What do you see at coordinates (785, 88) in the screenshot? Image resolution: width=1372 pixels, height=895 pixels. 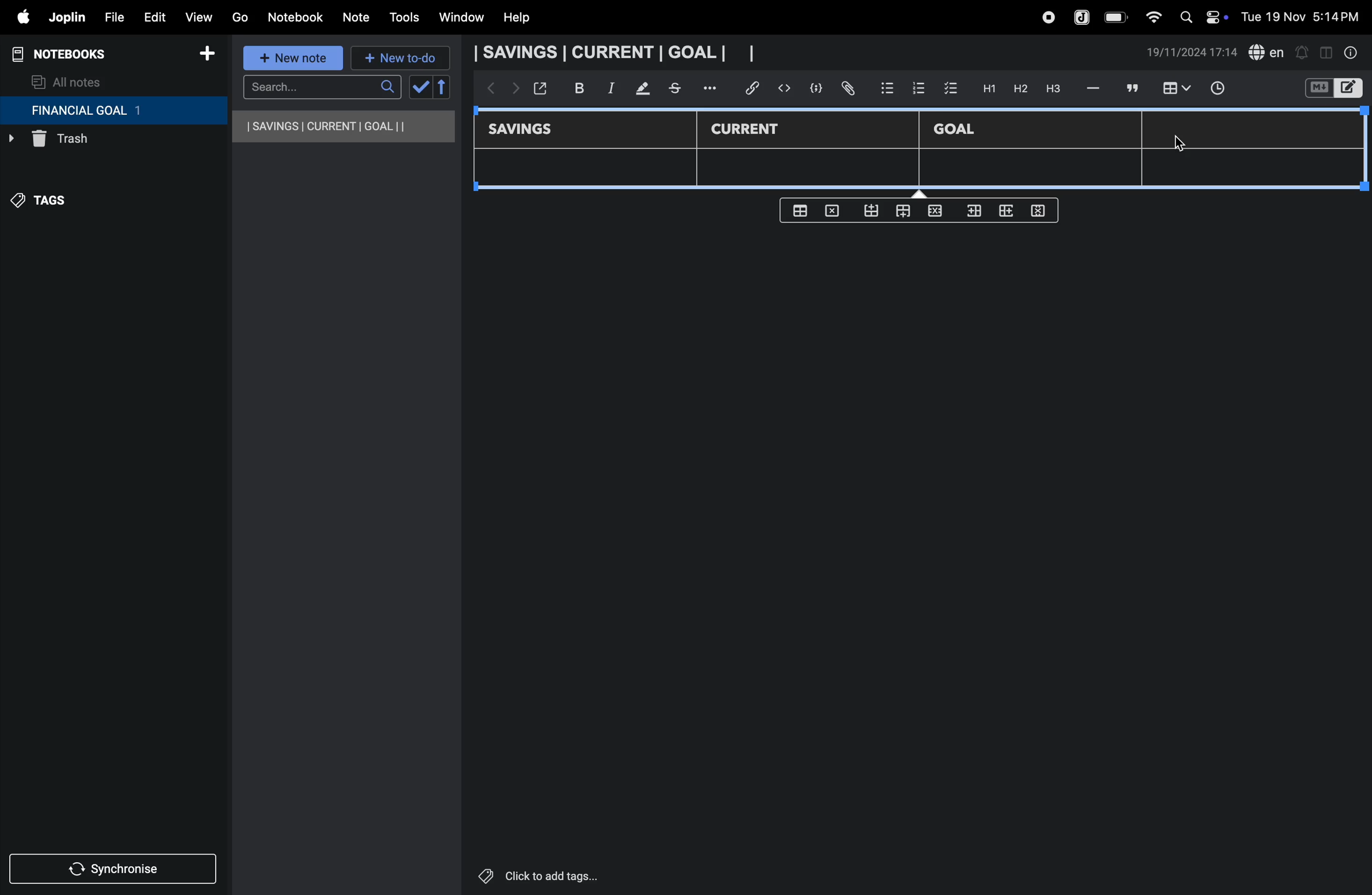 I see `insert code` at bounding box center [785, 88].